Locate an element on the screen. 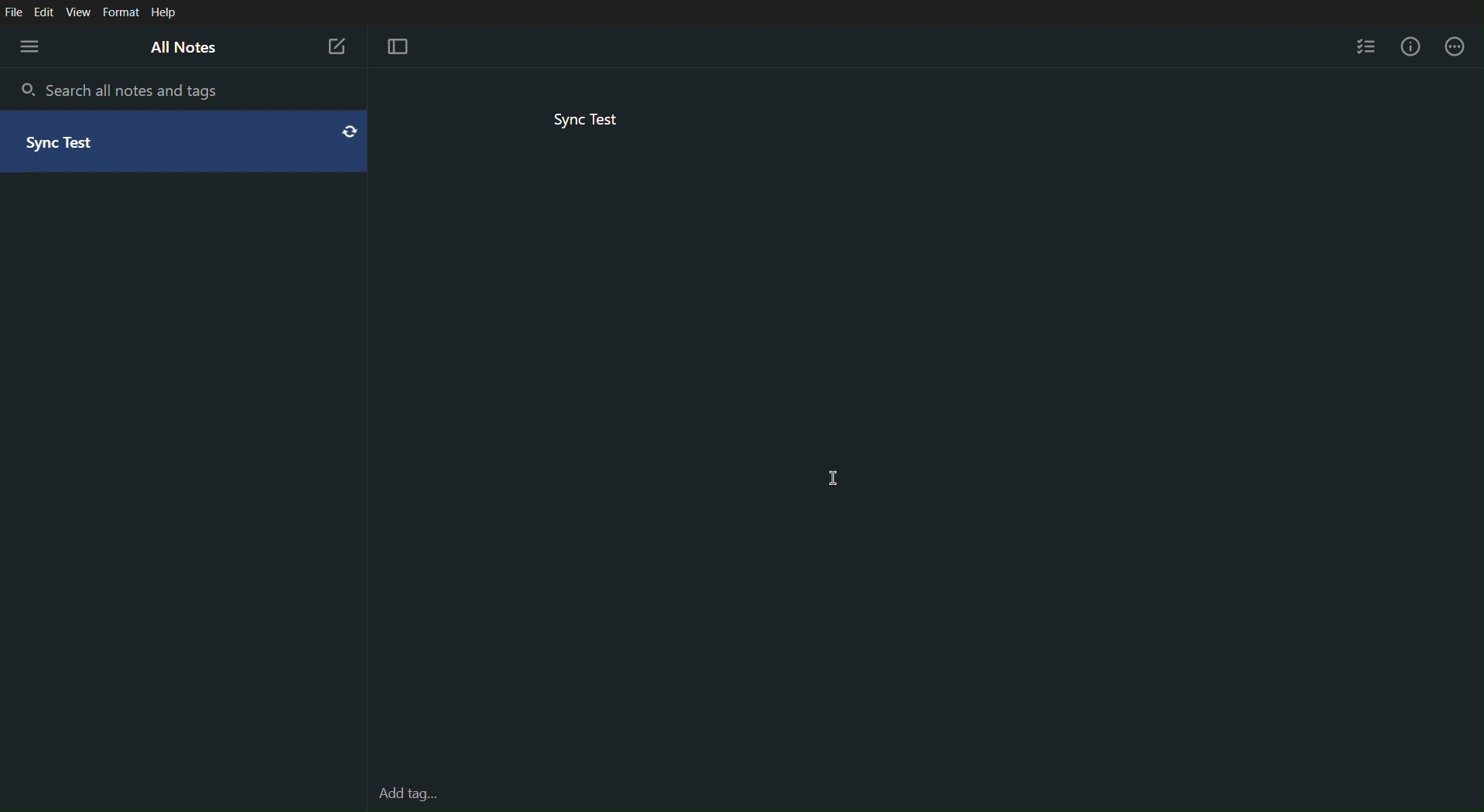  More is located at coordinates (1454, 45).